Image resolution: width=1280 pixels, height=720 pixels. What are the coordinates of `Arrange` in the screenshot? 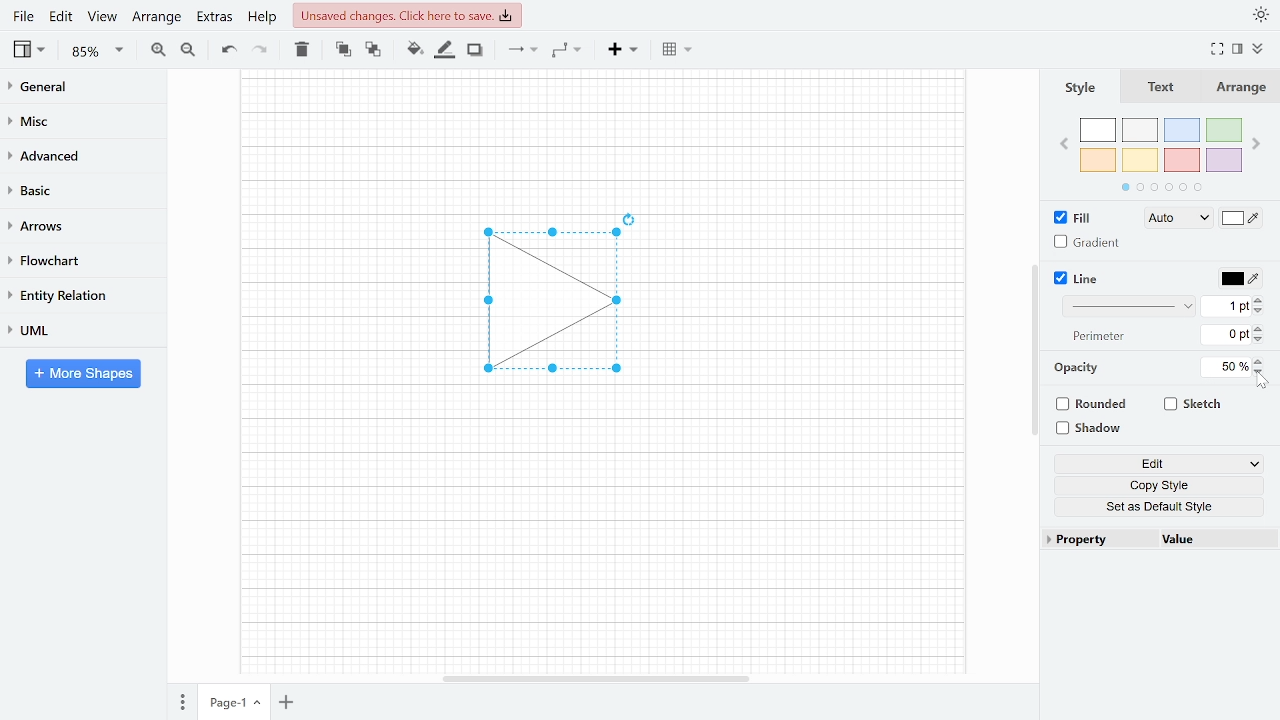 It's located at (156, 16).